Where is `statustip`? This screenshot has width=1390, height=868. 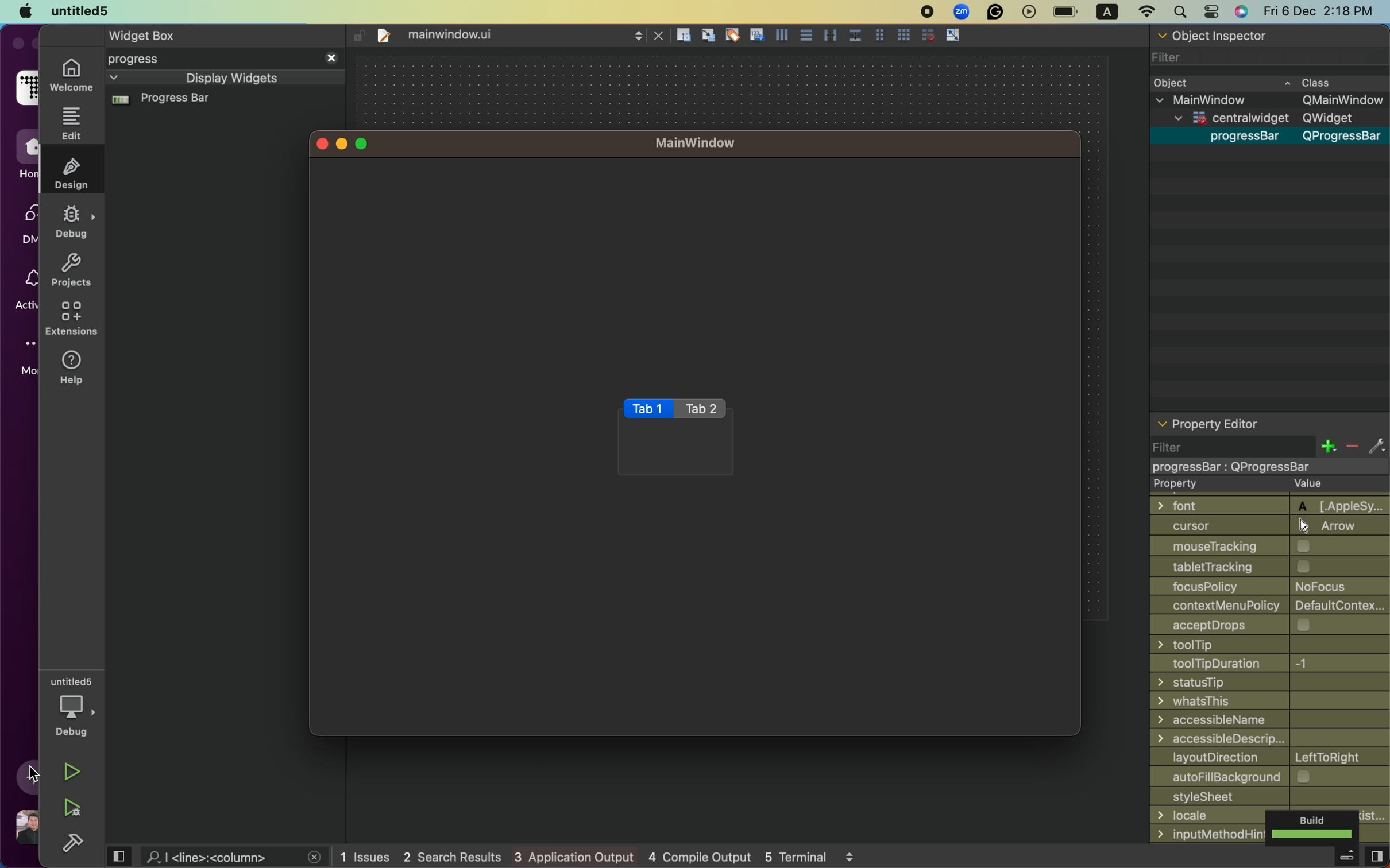 statustip is located at coordinates (1270, 682).